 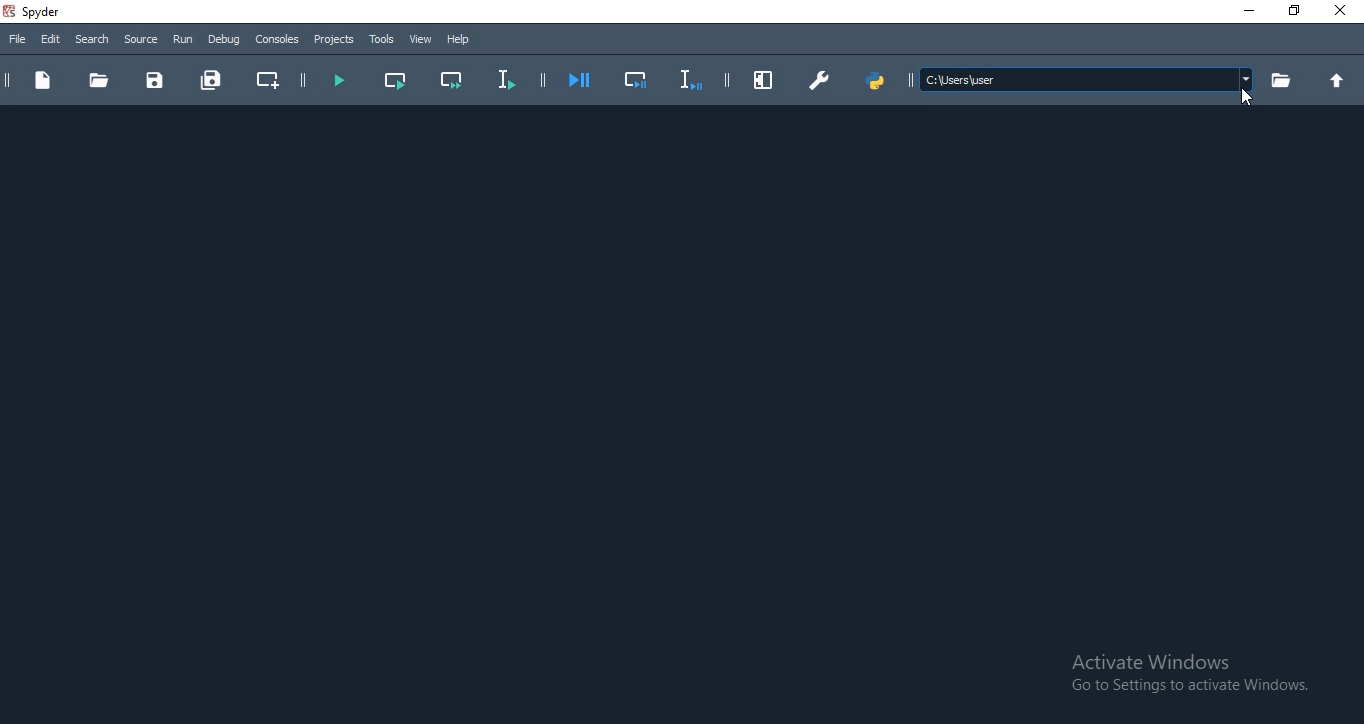 I want to click on document, so click(x=42, y=82).